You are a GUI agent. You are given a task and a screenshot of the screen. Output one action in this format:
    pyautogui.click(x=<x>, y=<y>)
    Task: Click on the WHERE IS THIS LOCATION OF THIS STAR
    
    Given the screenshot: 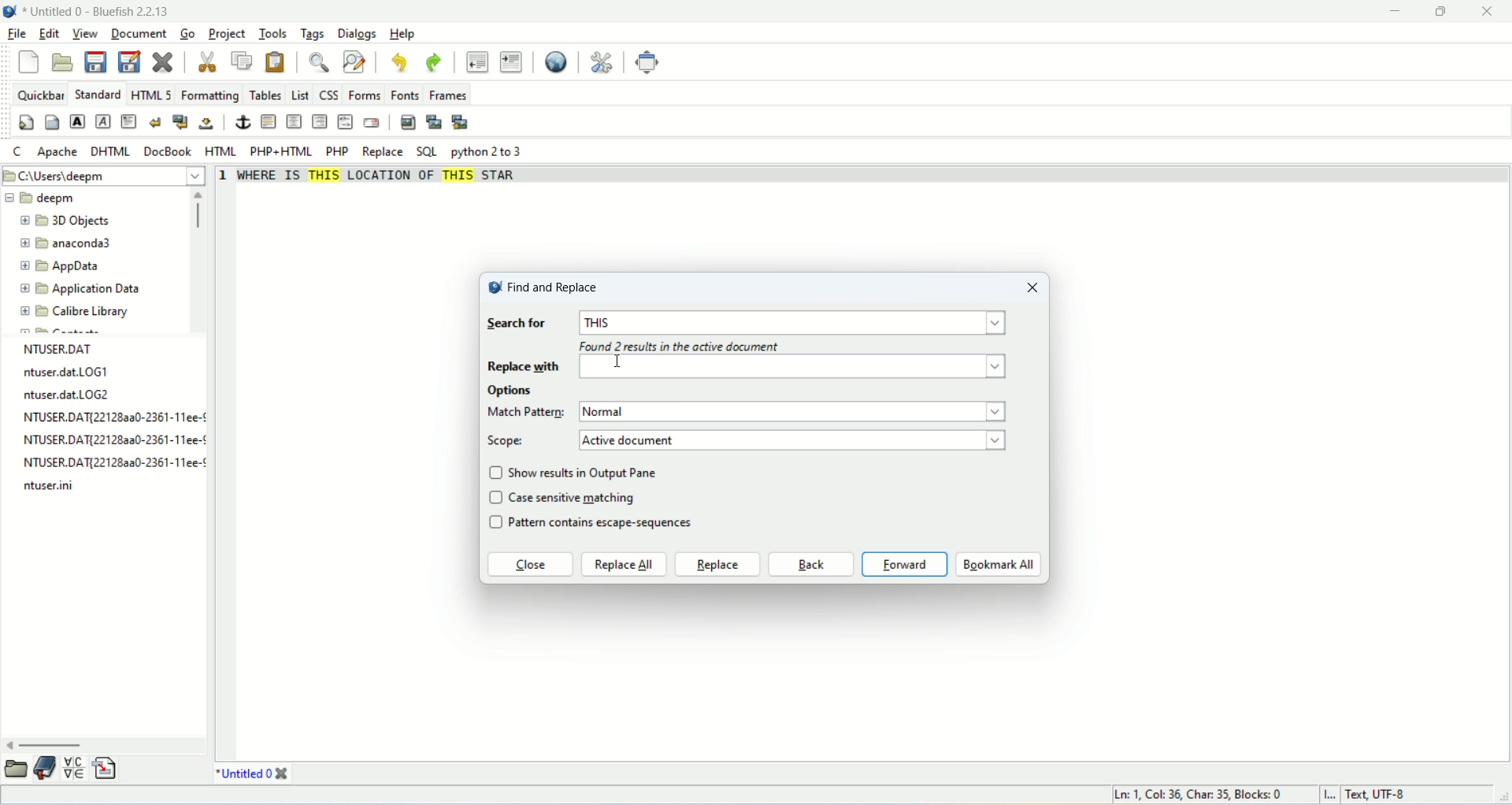 What is the action you would take?
    pyautogui.click(x=369, y=176)
    